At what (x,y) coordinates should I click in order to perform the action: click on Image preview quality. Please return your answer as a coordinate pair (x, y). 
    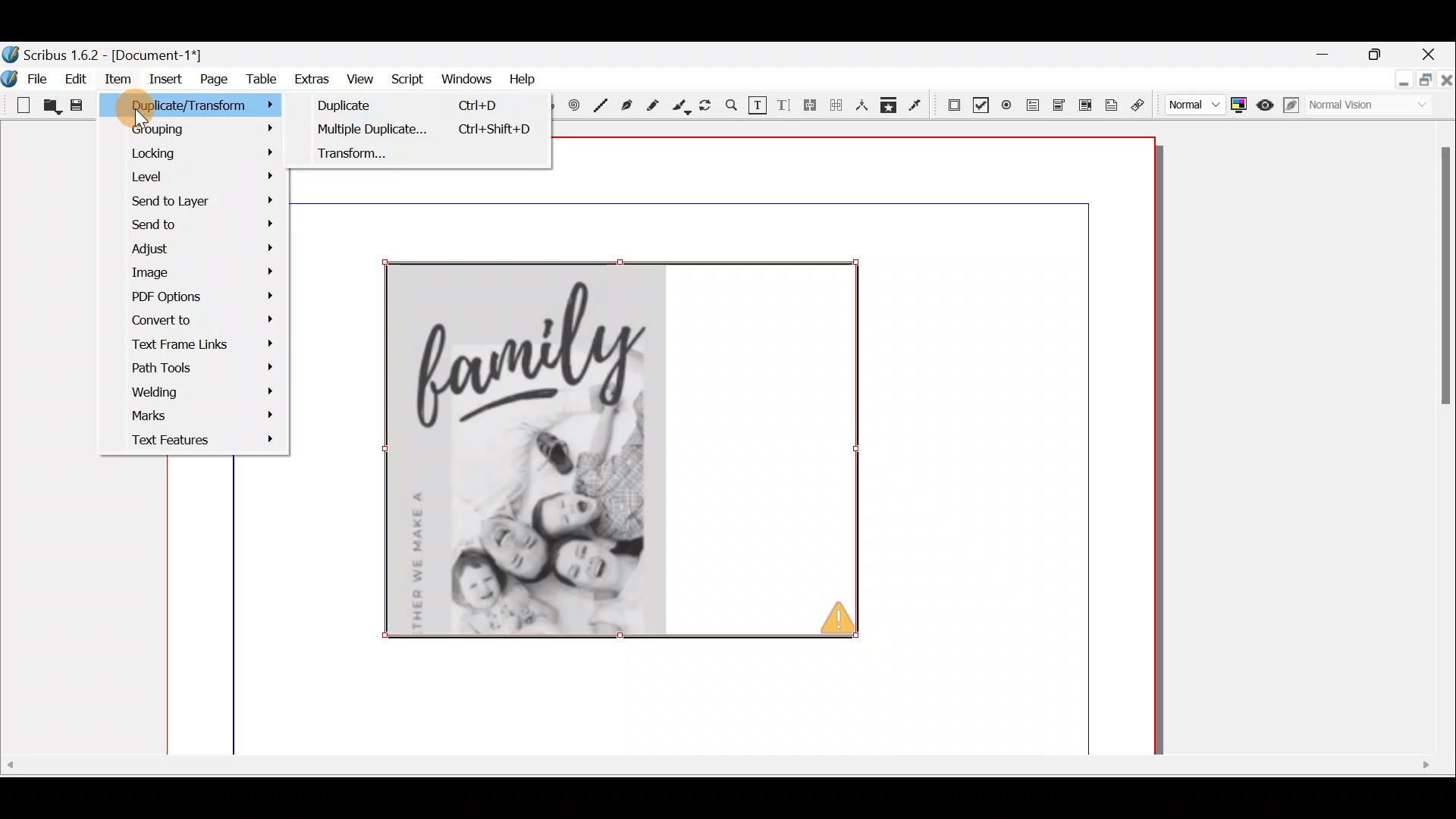
    Looking at the image, I should click on (1193, 105).